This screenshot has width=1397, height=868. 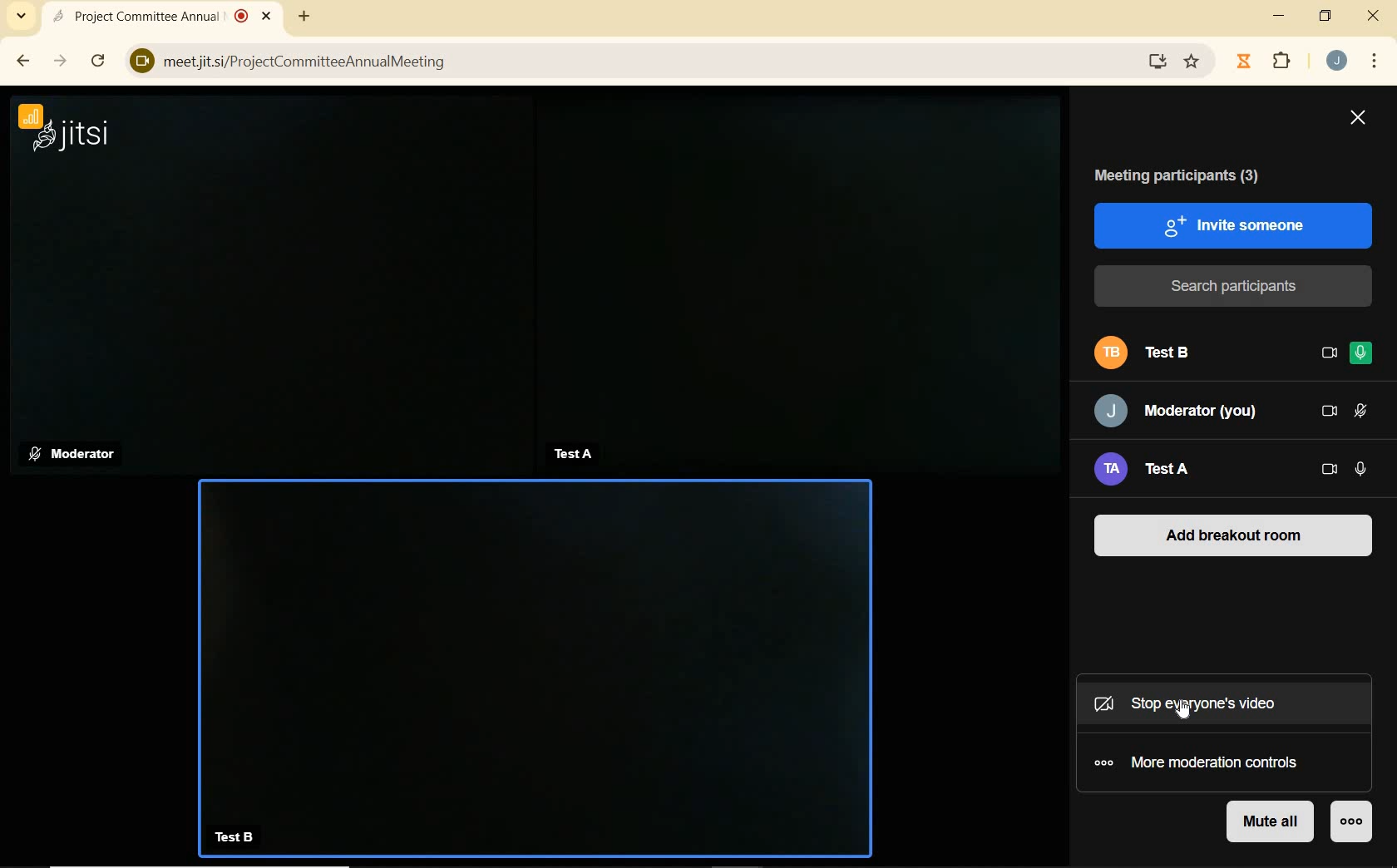 What do you see at coordinates (578, 455) in the screenshot?
I see `TestA` at bounding box center [578, 455].